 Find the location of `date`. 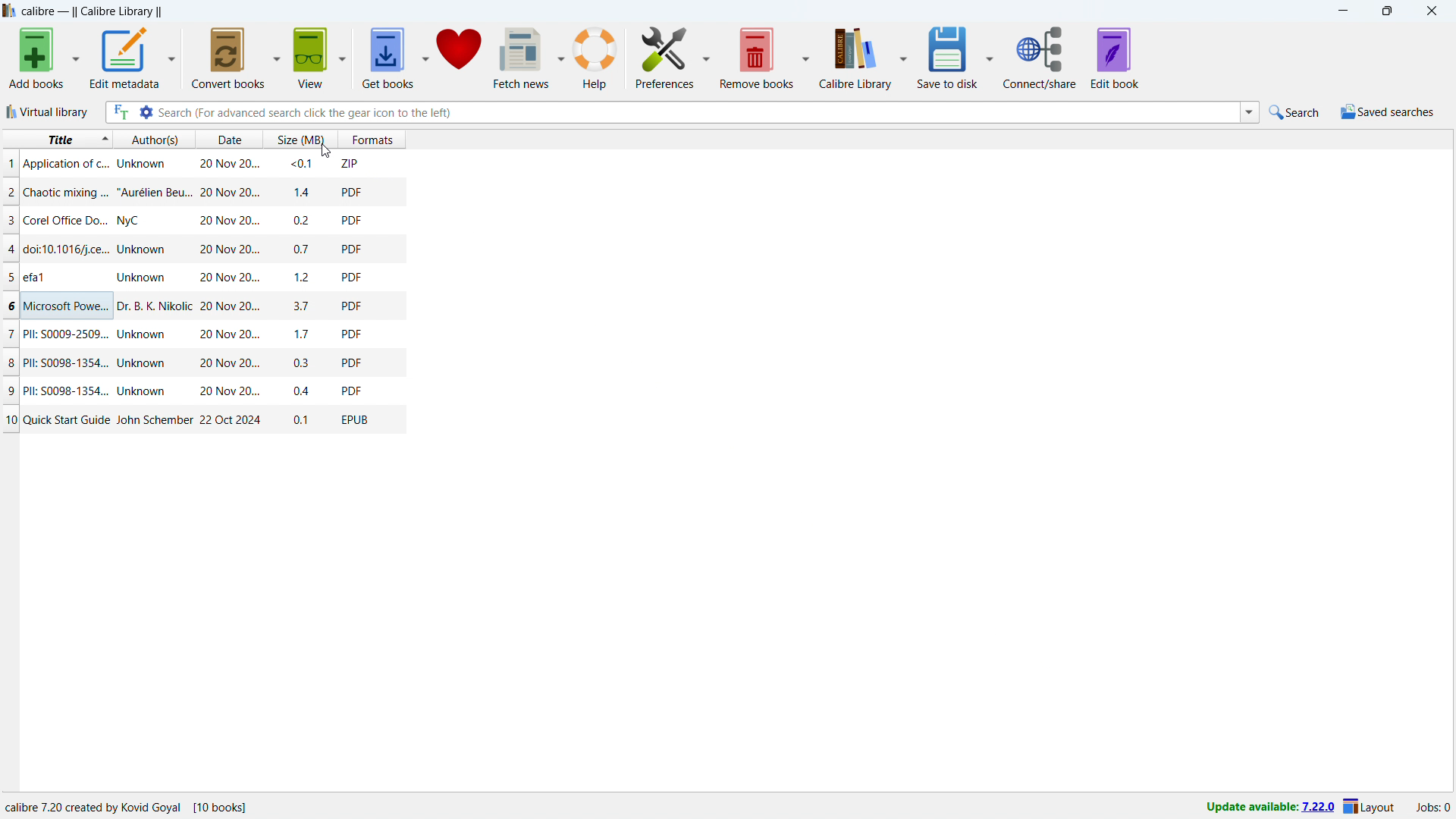

date is located at coordinates (230, 419).